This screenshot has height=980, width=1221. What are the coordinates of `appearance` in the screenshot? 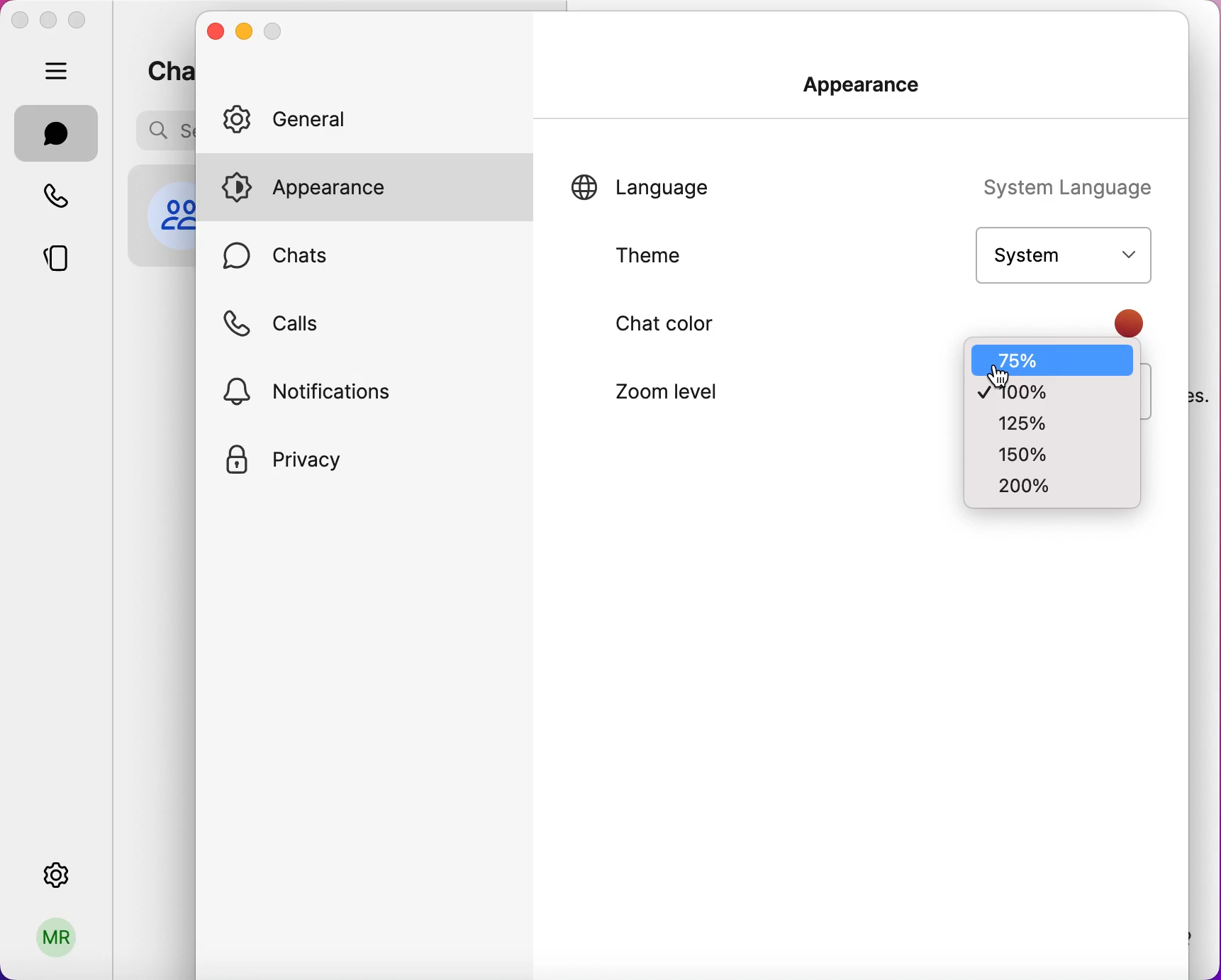 It's located at (866, 89).